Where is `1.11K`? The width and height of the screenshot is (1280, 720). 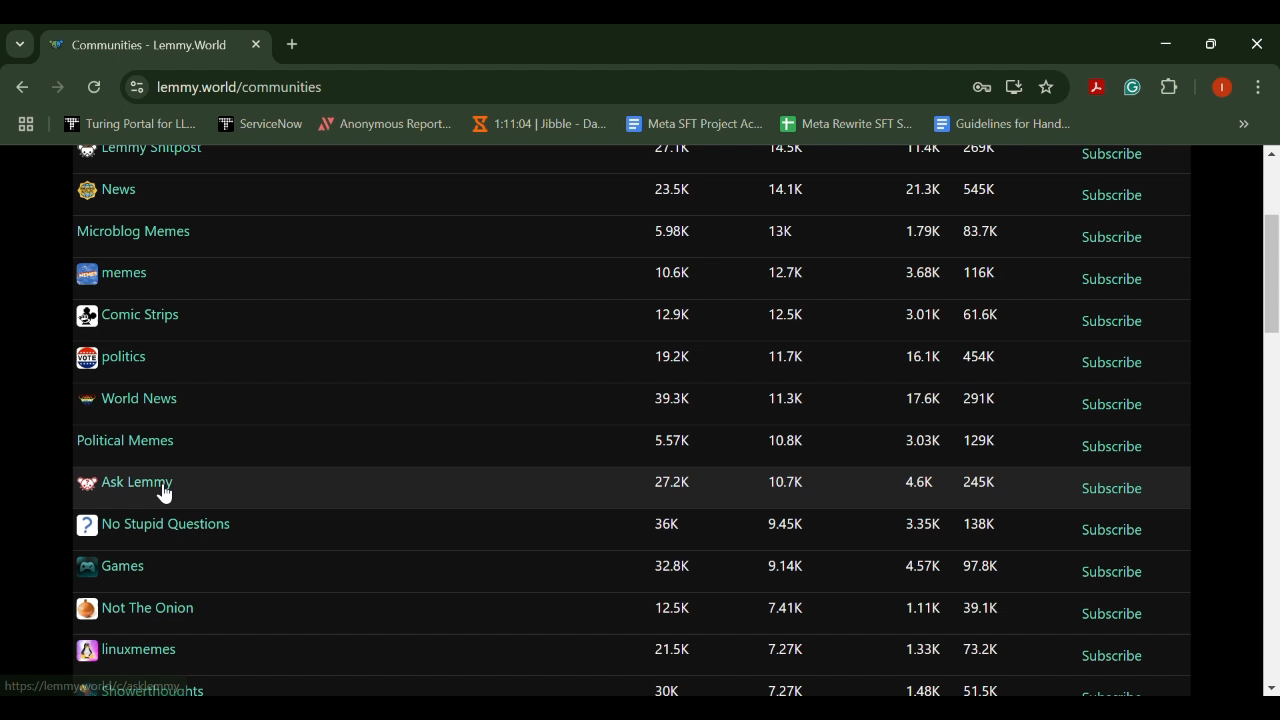
1.11K is located at coordinates (922, 609).